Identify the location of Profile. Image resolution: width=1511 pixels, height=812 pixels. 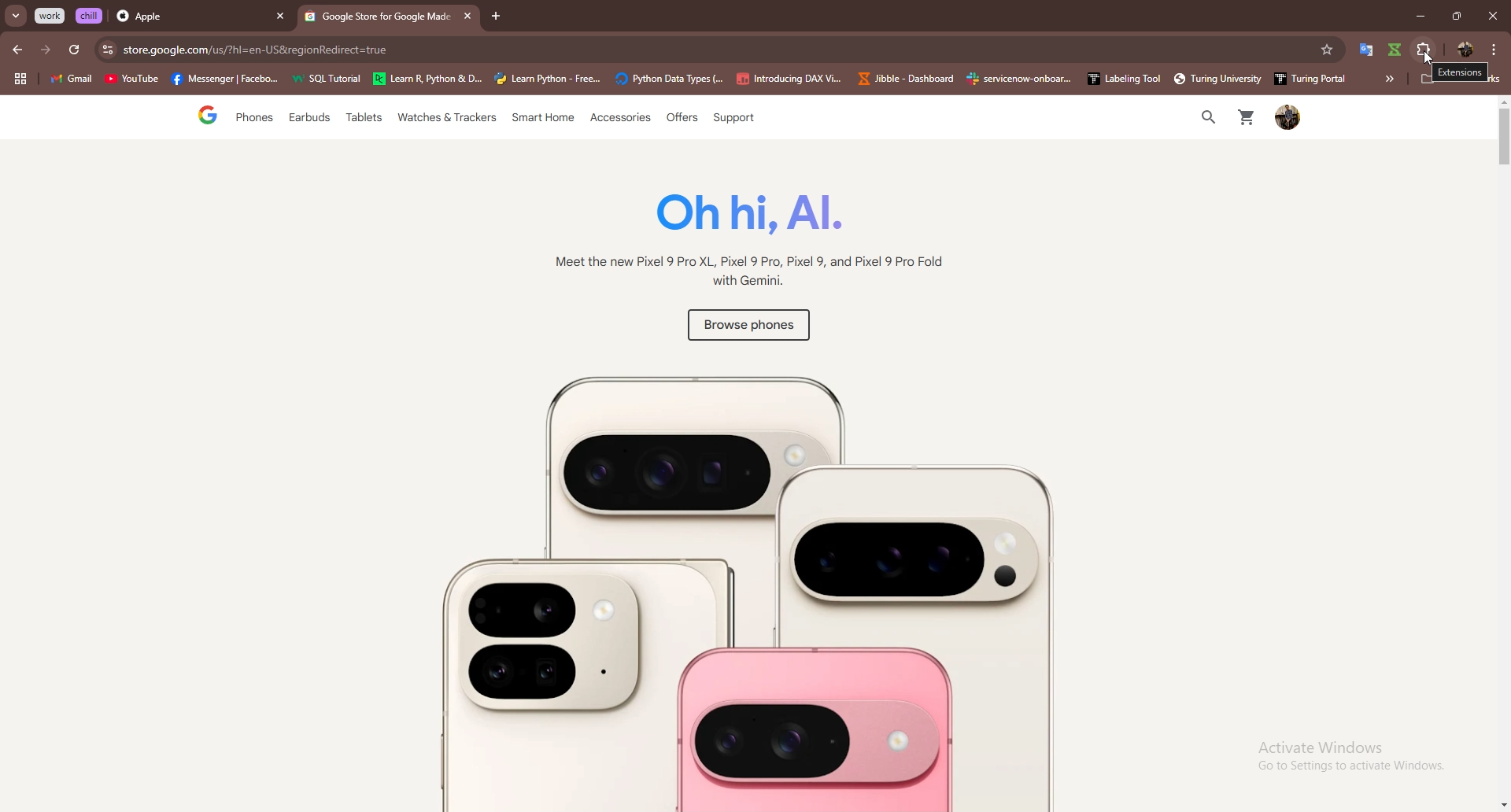
(1289, 119).